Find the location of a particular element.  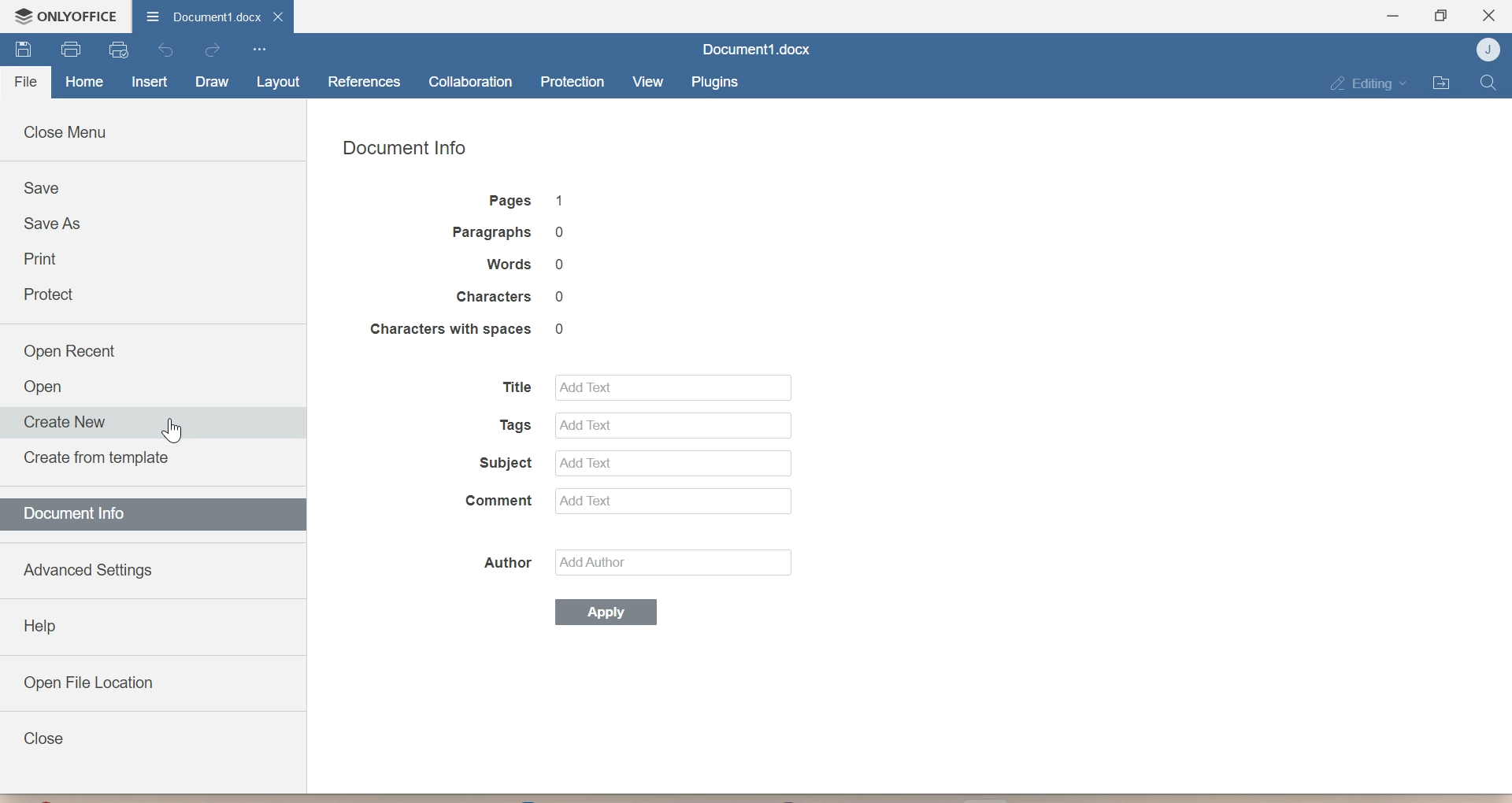

Draw is located at coordinates (211, 83).